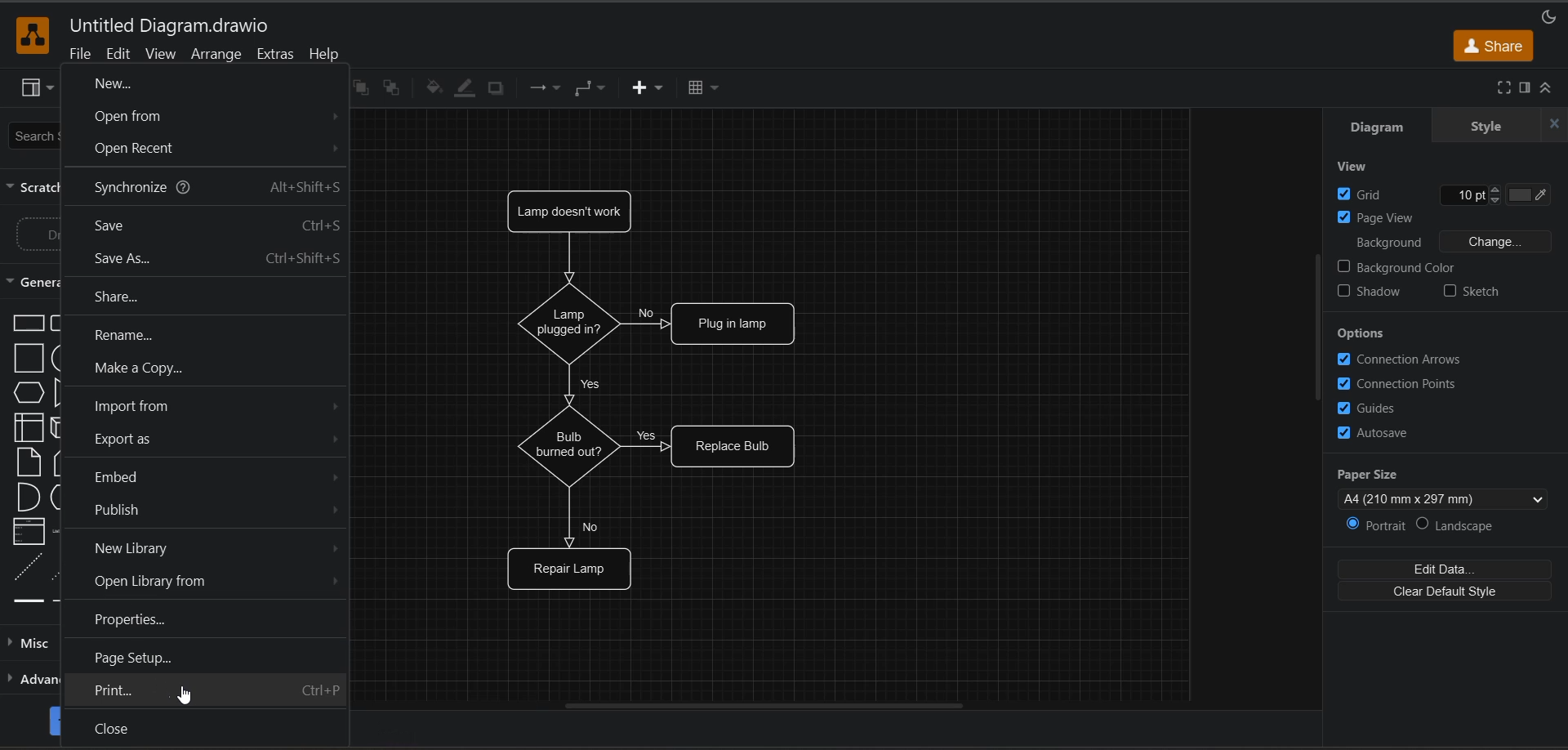  I want to click on cursor, so click(185, 693).